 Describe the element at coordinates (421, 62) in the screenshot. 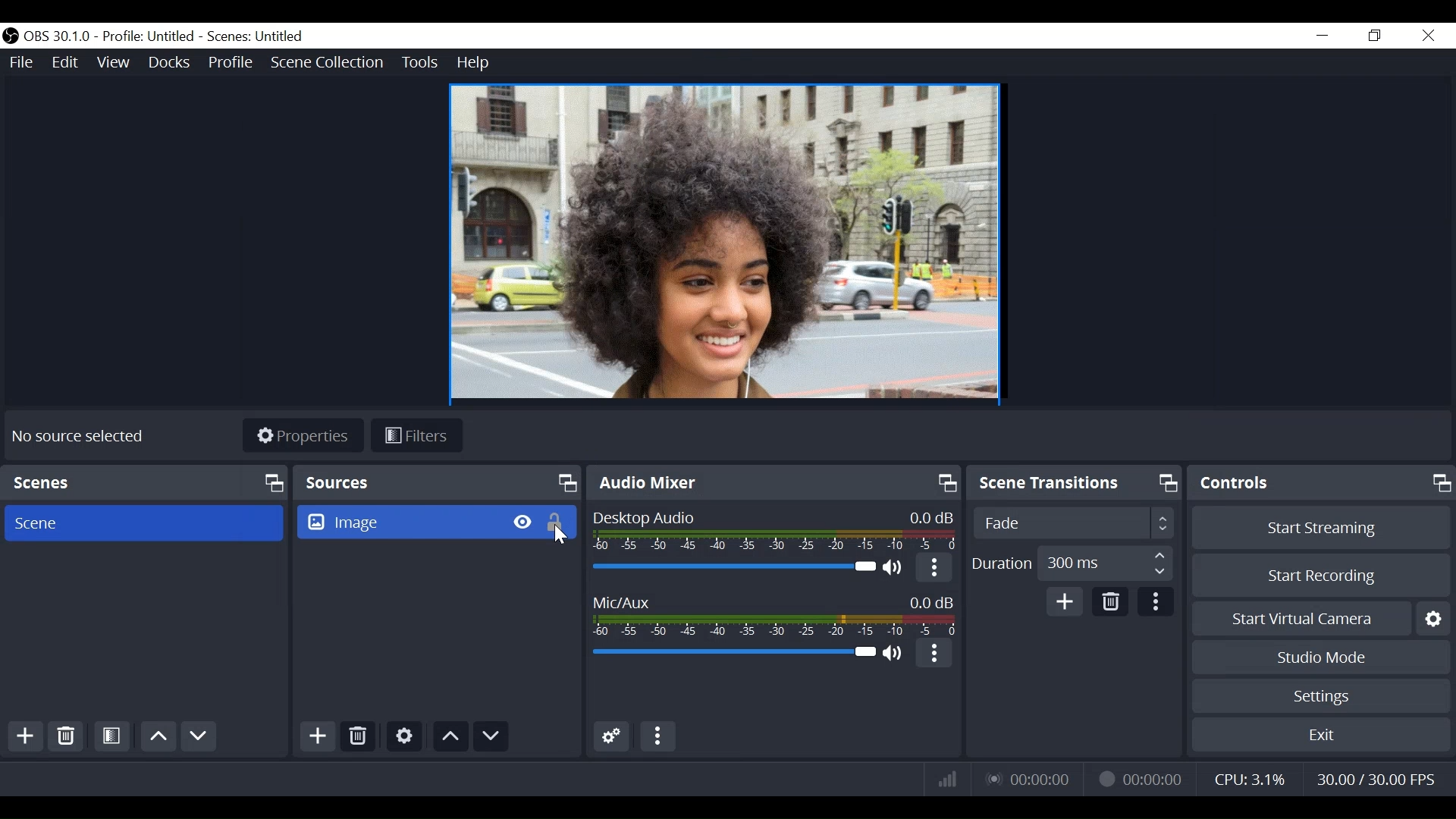

I see `Tools` at that location.